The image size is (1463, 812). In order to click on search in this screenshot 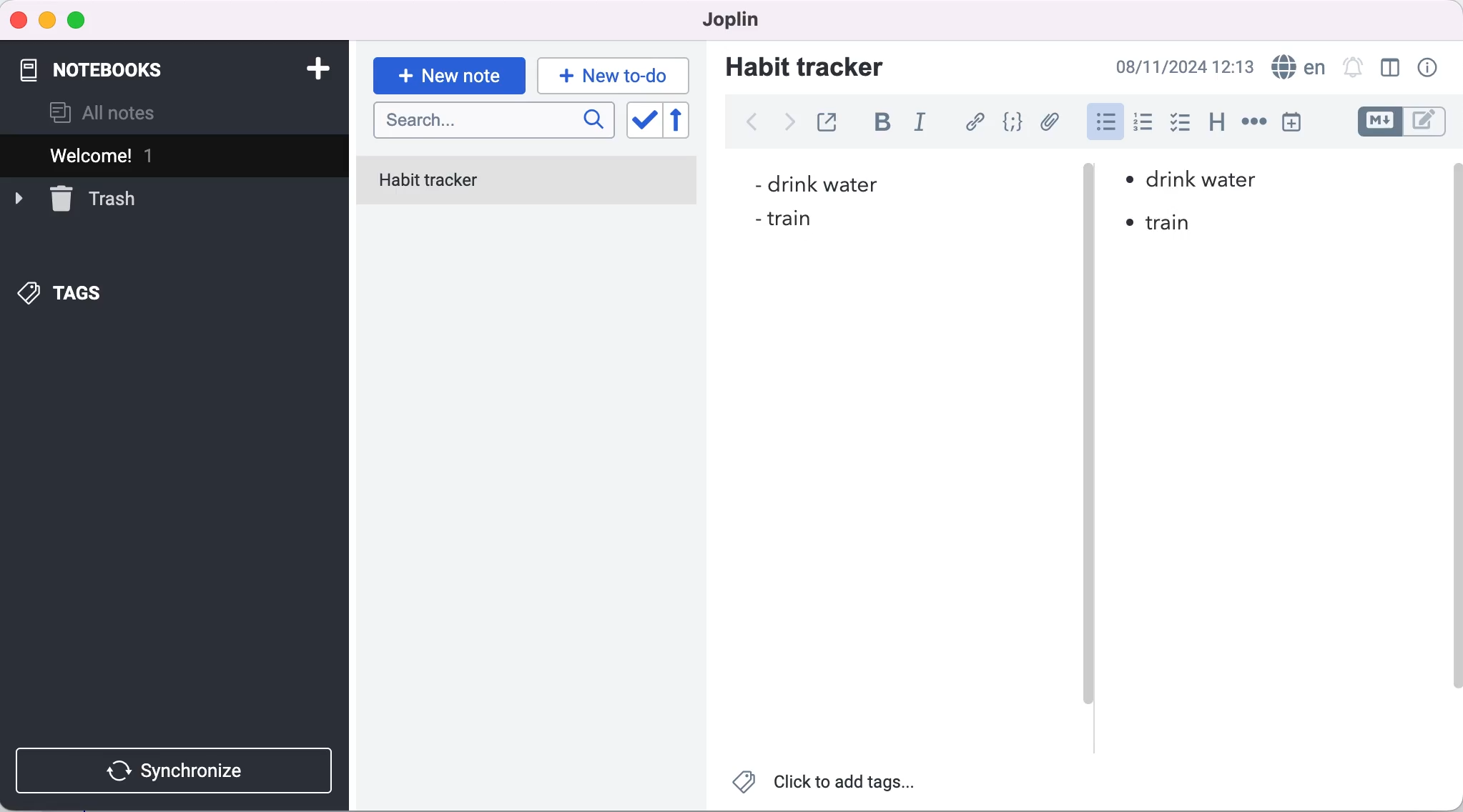, I will do `click(494, 122)`.